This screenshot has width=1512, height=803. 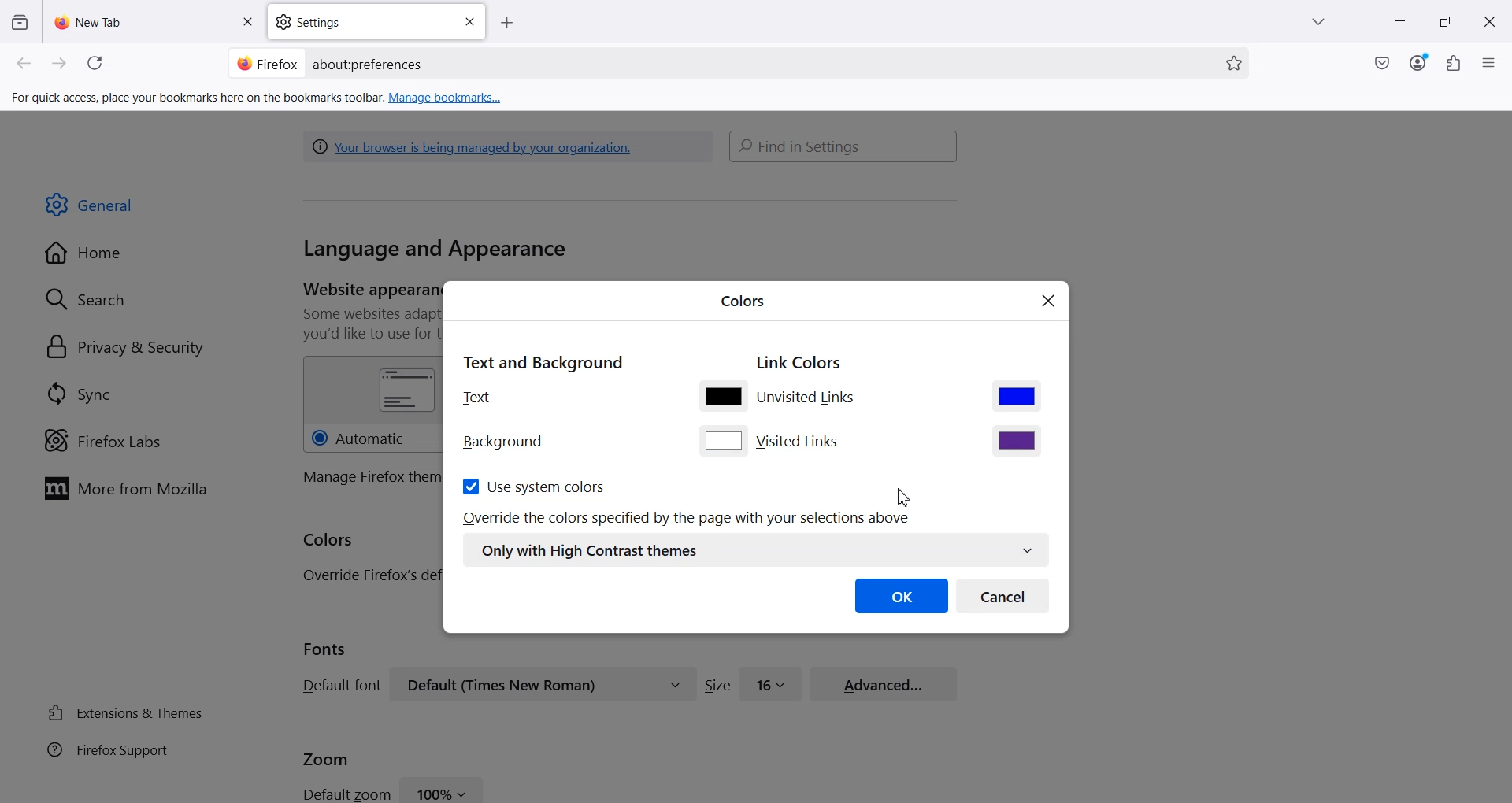 What do you see at coordinates (800, 442) in the screenshot?
I see `Visited Links` at bounding box center [800, 442].